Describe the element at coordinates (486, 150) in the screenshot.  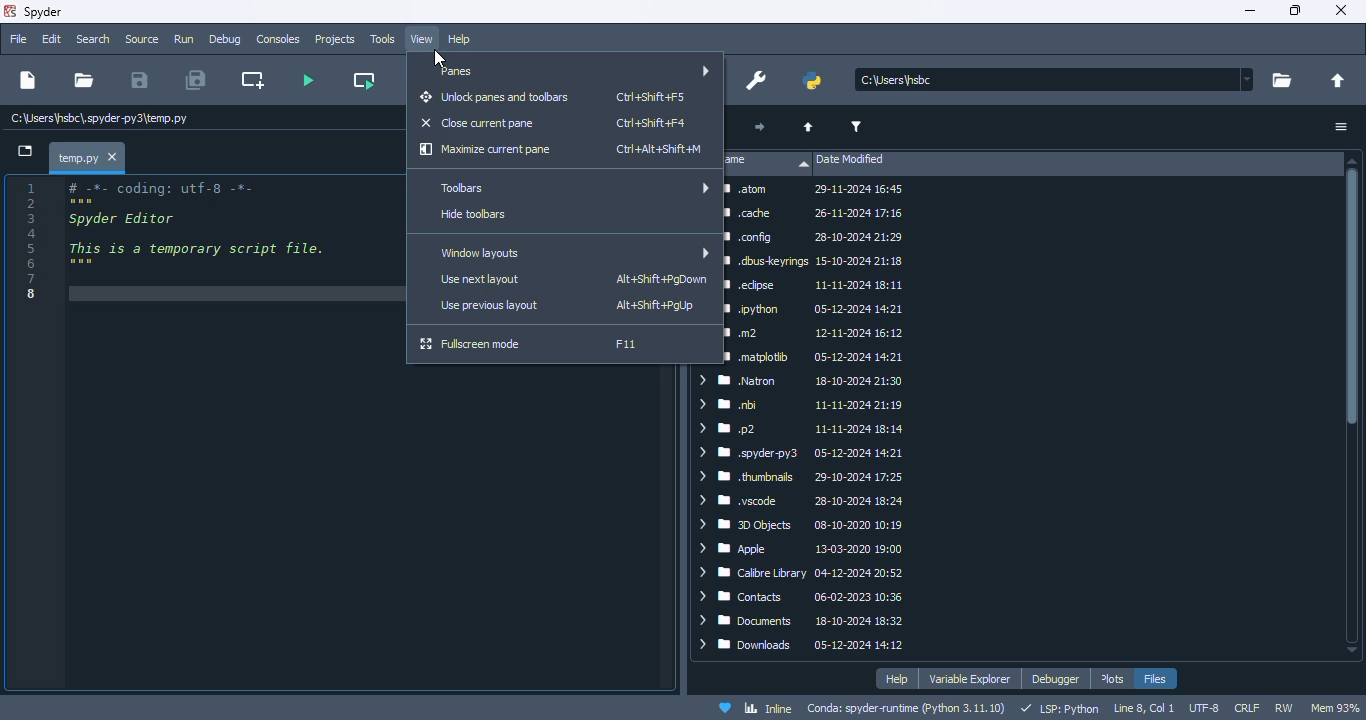
I see `maximize current pane` at that location.